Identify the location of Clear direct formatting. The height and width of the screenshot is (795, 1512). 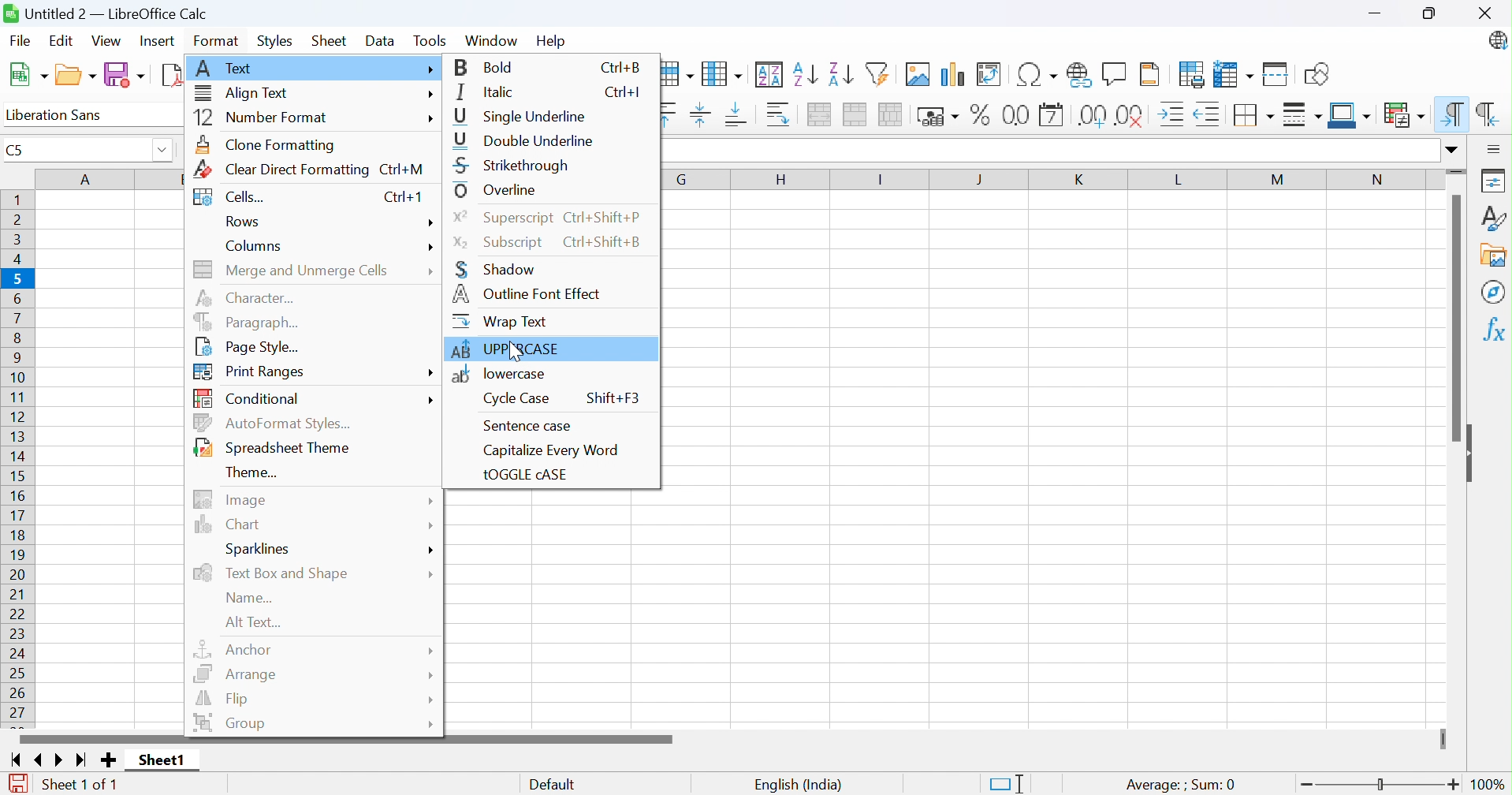
(283, 170).